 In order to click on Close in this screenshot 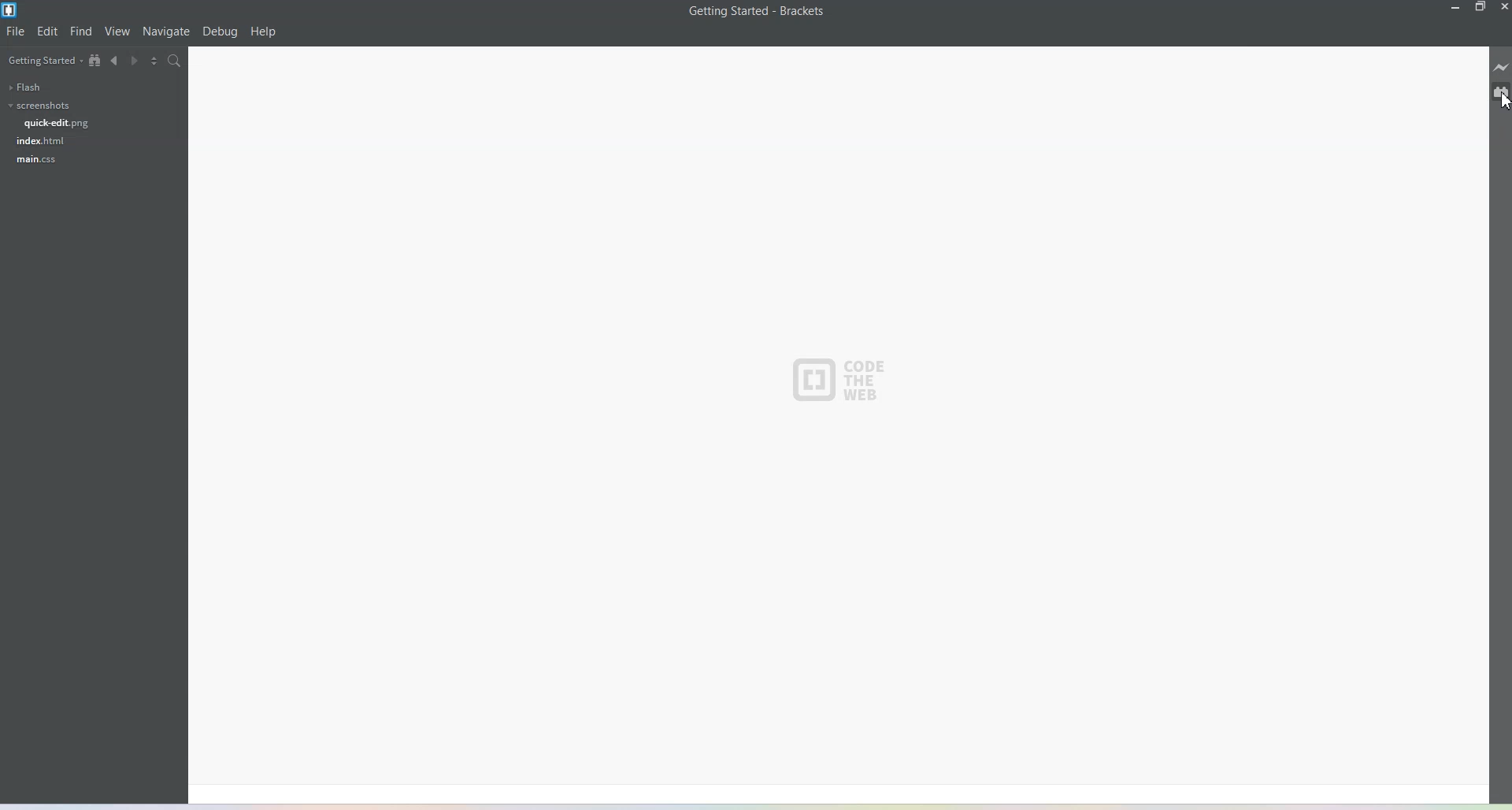, I will do `click(1503, 7)`.